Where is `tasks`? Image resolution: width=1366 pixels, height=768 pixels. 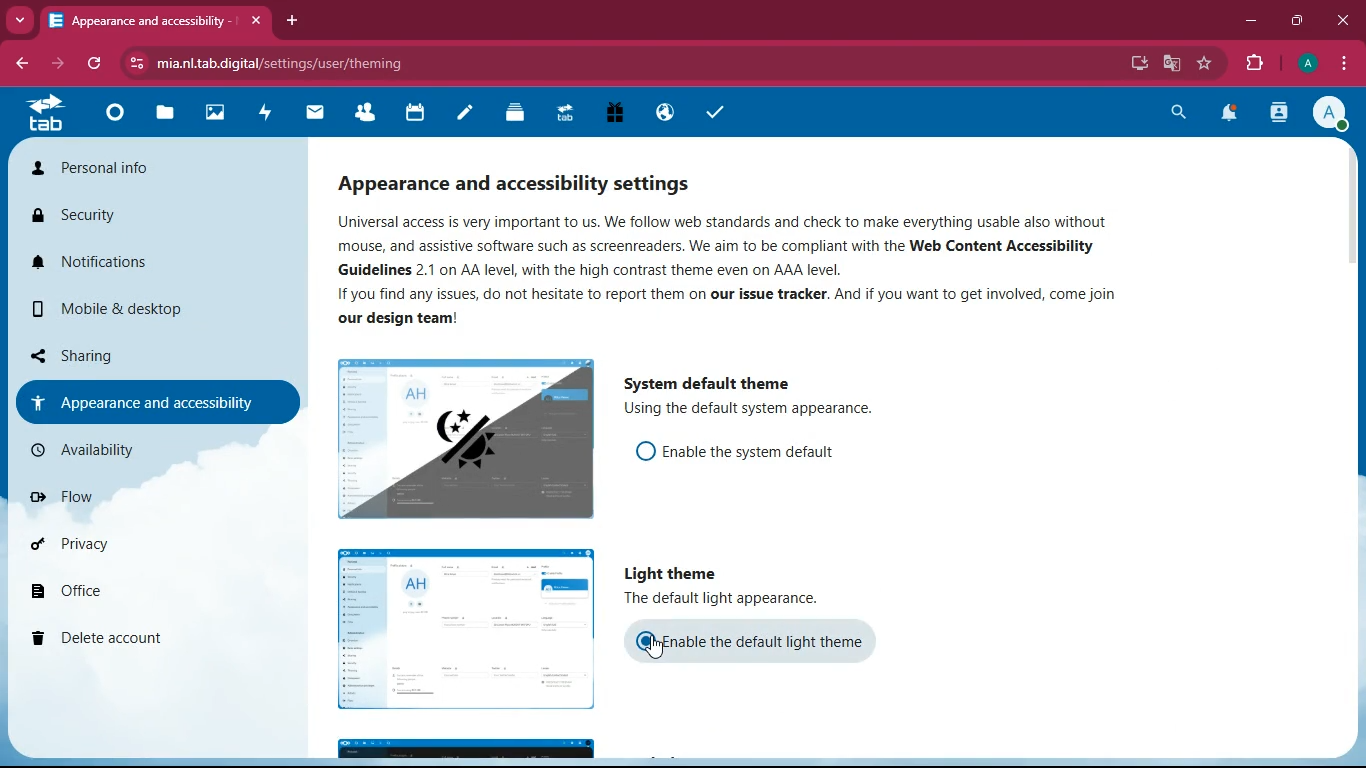 tasks is located at coordinates (709, 112).